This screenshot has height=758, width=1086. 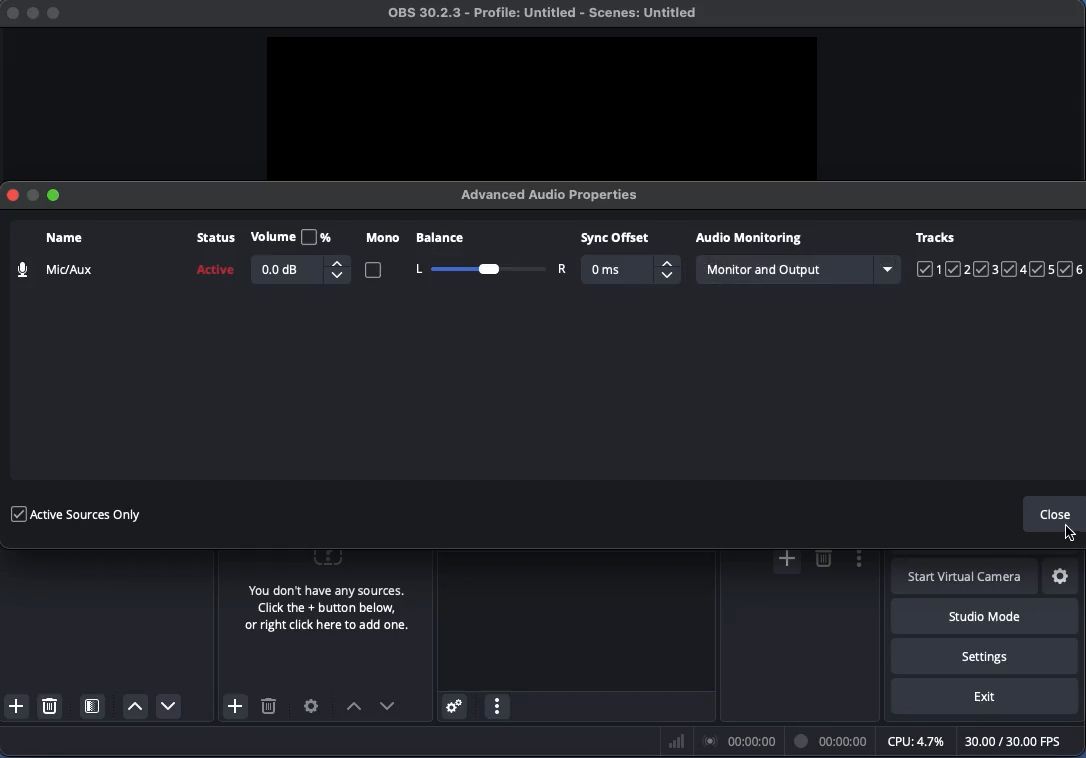 I want to click on Add scenes, so click(x=17, y=706).